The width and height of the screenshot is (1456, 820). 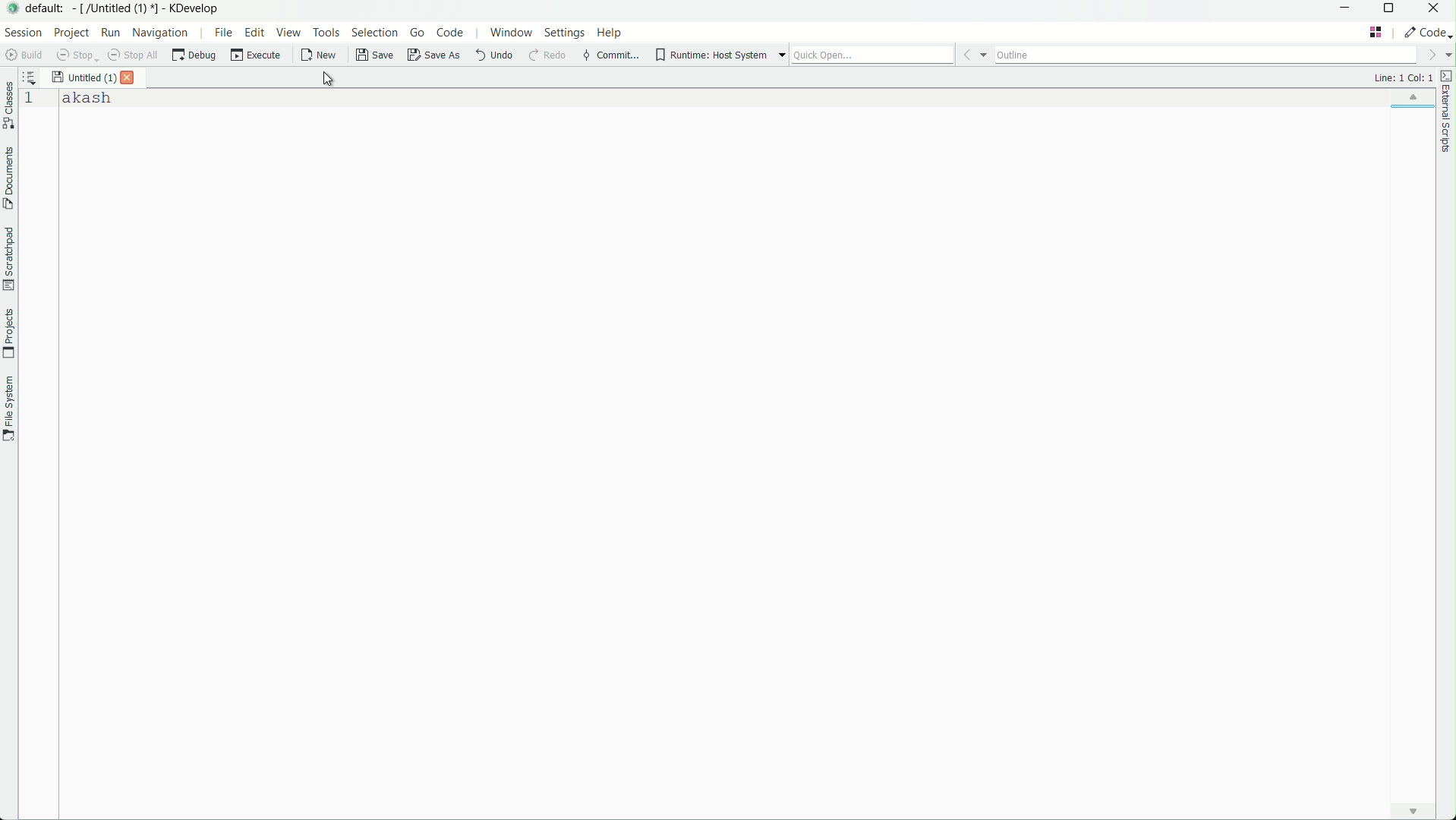 I want to click on commit, so click(x=612, y=55).